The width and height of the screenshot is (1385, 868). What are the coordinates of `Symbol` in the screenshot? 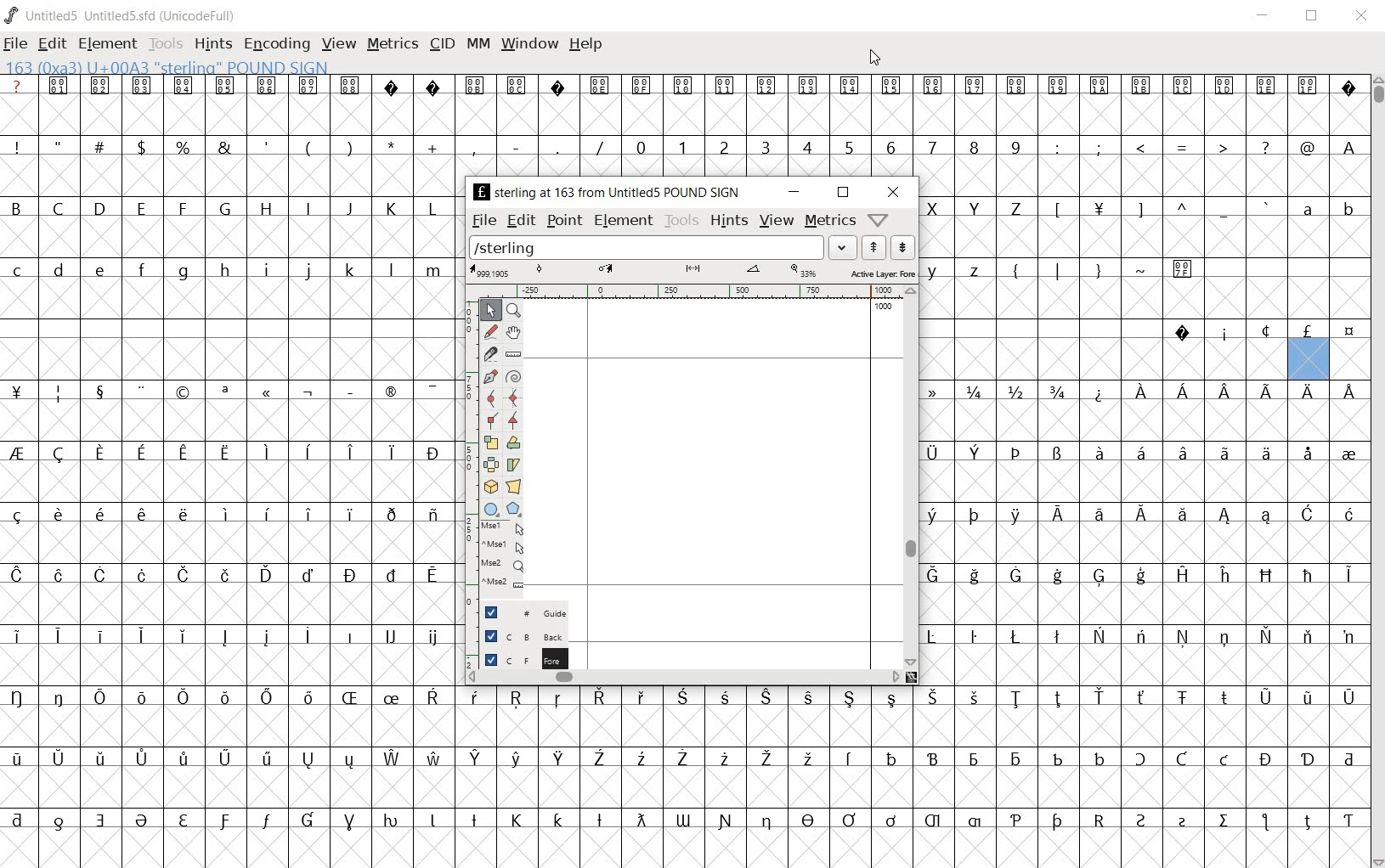 It's located at (1100, 696).